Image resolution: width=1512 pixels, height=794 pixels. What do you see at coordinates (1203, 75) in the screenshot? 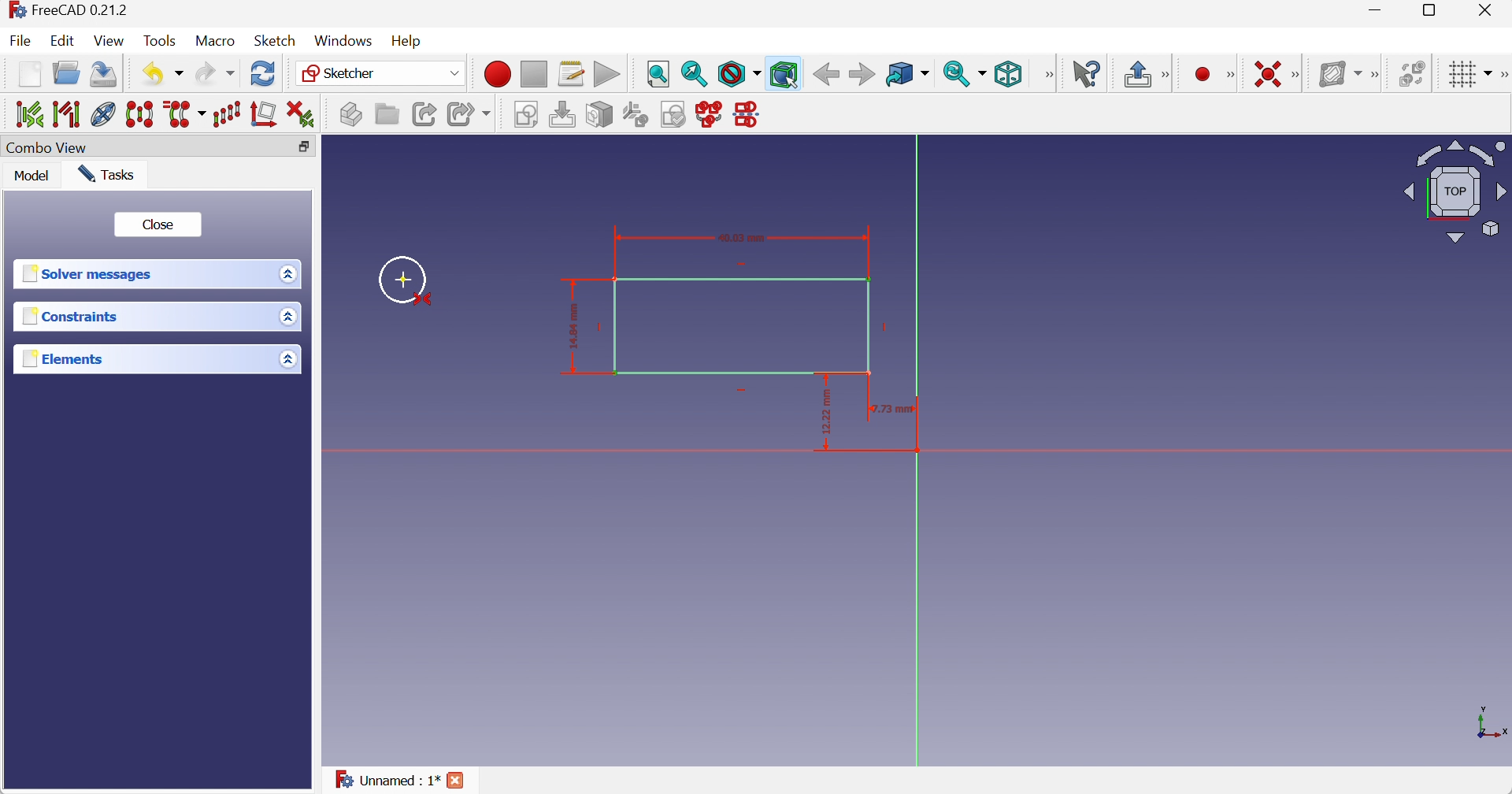
I see `Create point` at bounding box center [1203, 75].